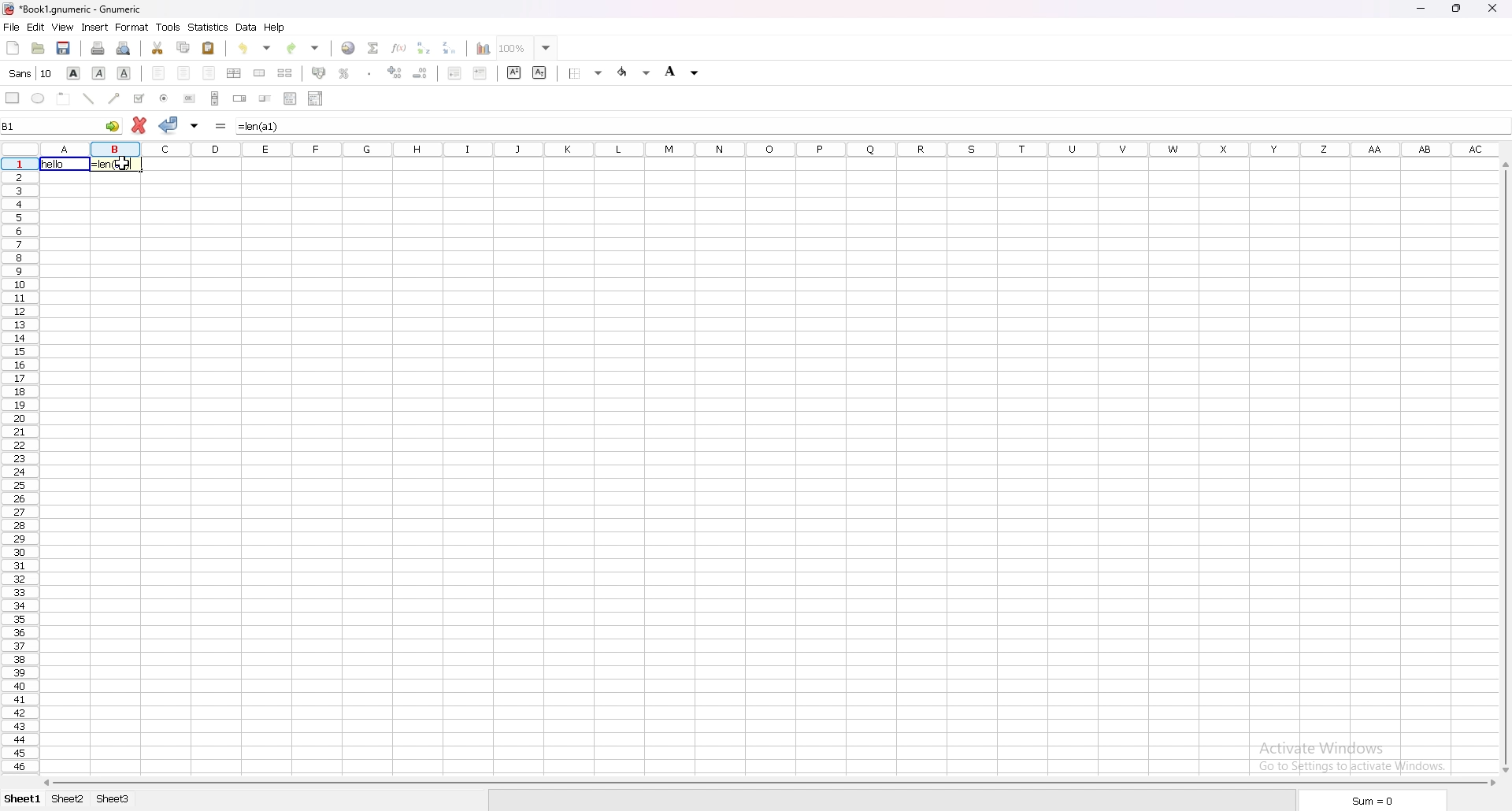  I want to click on subscript, so click(540, 72).